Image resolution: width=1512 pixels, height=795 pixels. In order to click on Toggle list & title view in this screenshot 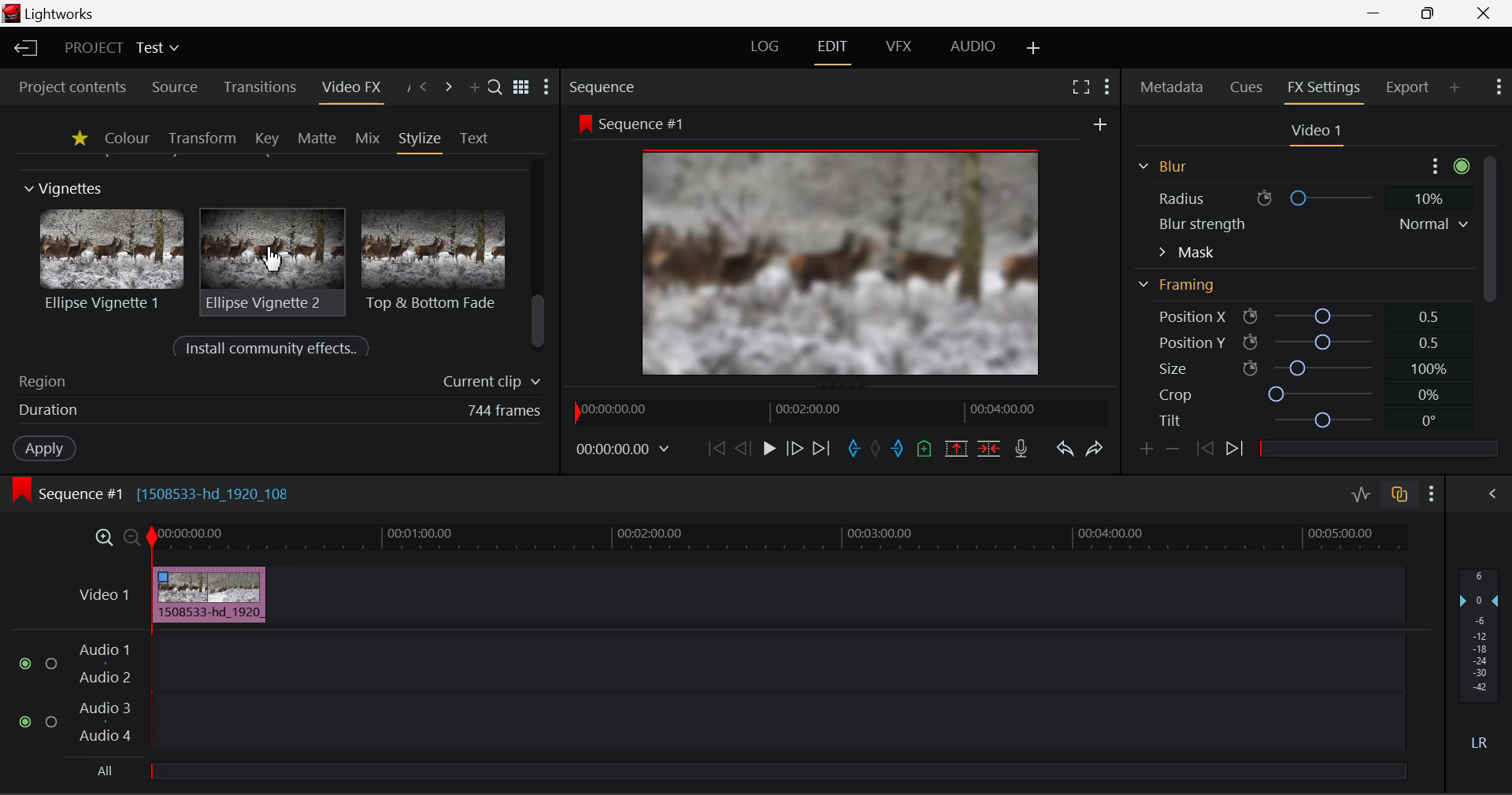, I will do `click(521, 89)`.